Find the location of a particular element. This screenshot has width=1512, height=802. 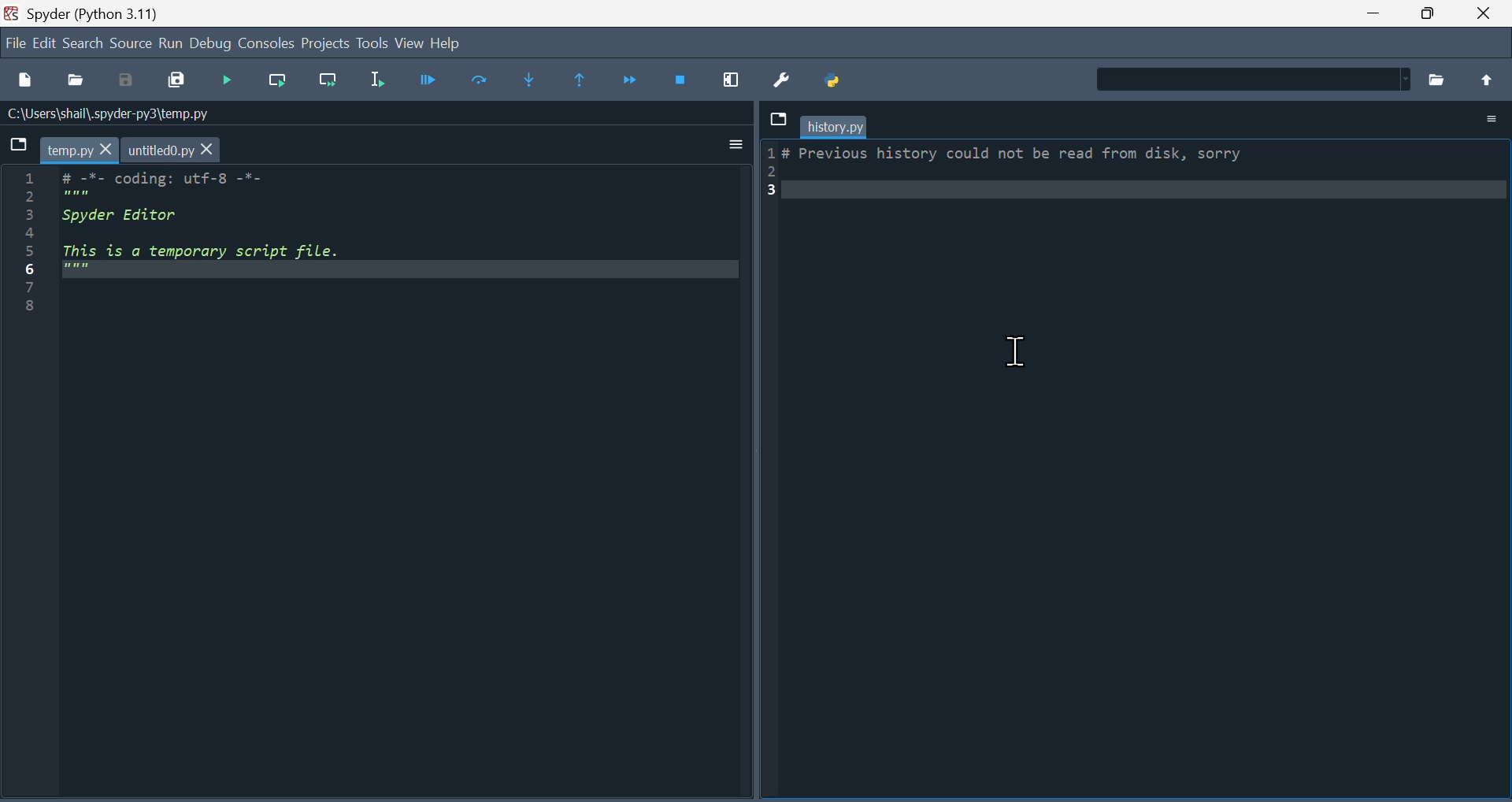

Project is located at coordinates (326, 42).